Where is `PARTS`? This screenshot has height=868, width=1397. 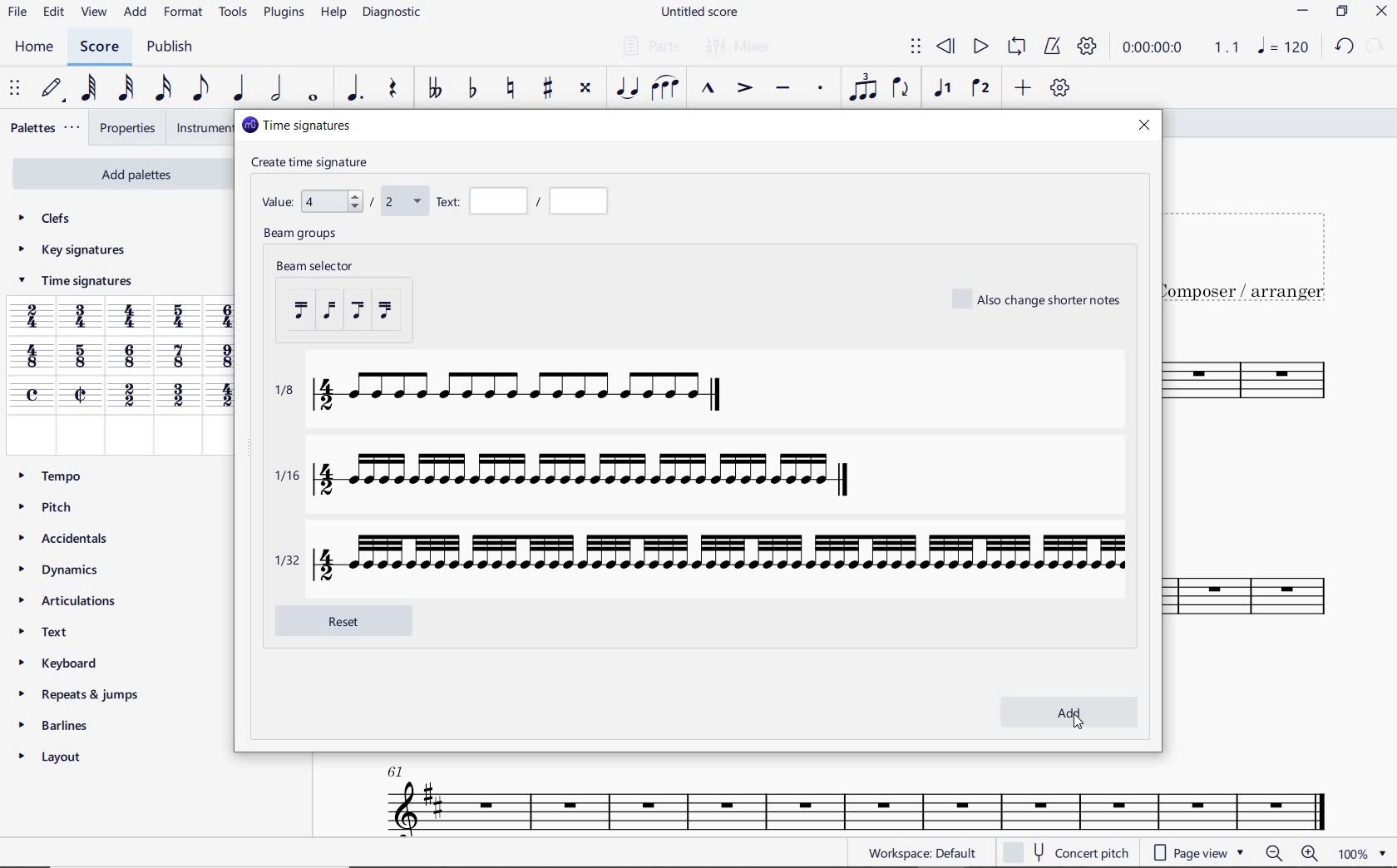 PARTS is located at coordinates (650, 46).